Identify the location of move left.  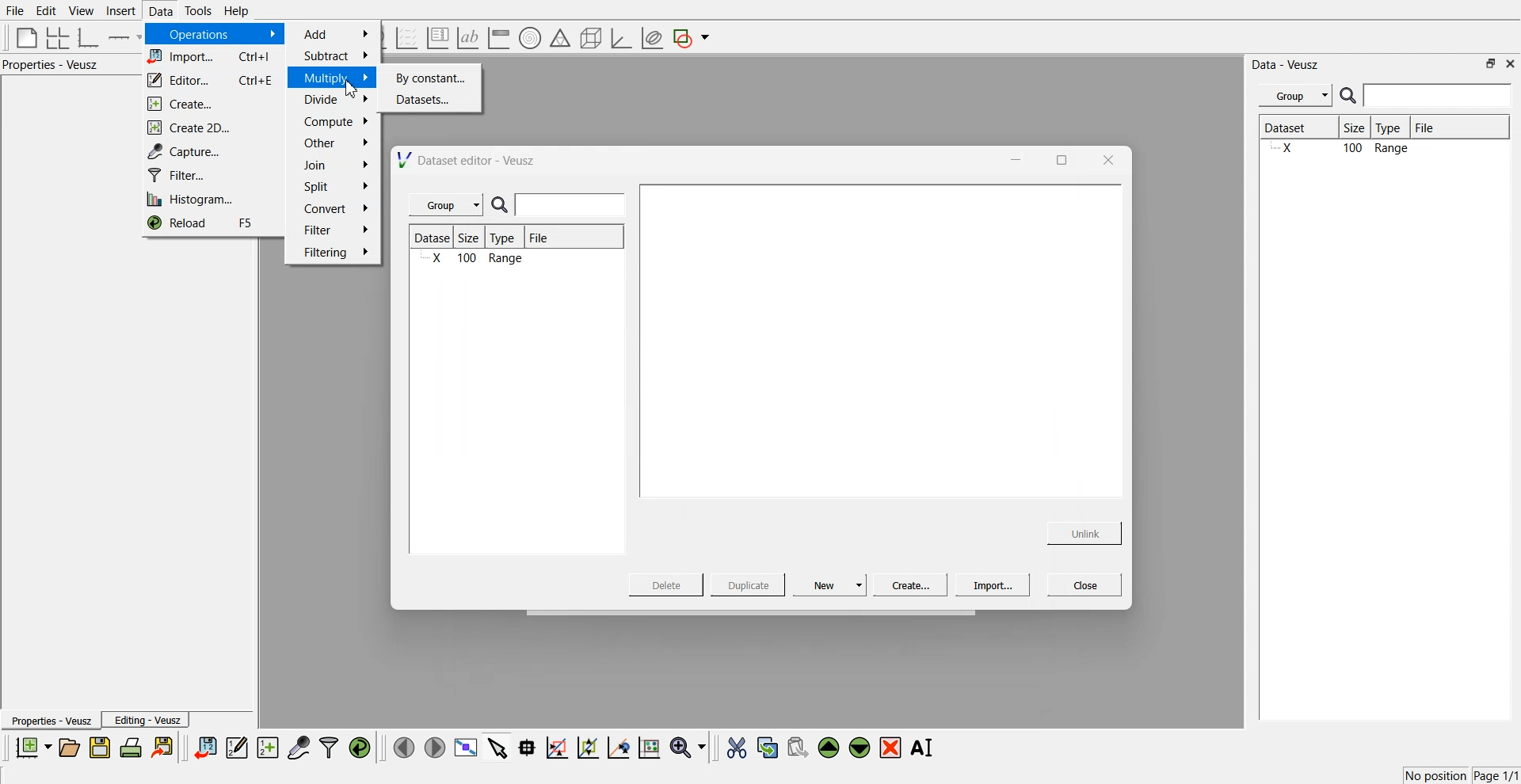
(404, 747).